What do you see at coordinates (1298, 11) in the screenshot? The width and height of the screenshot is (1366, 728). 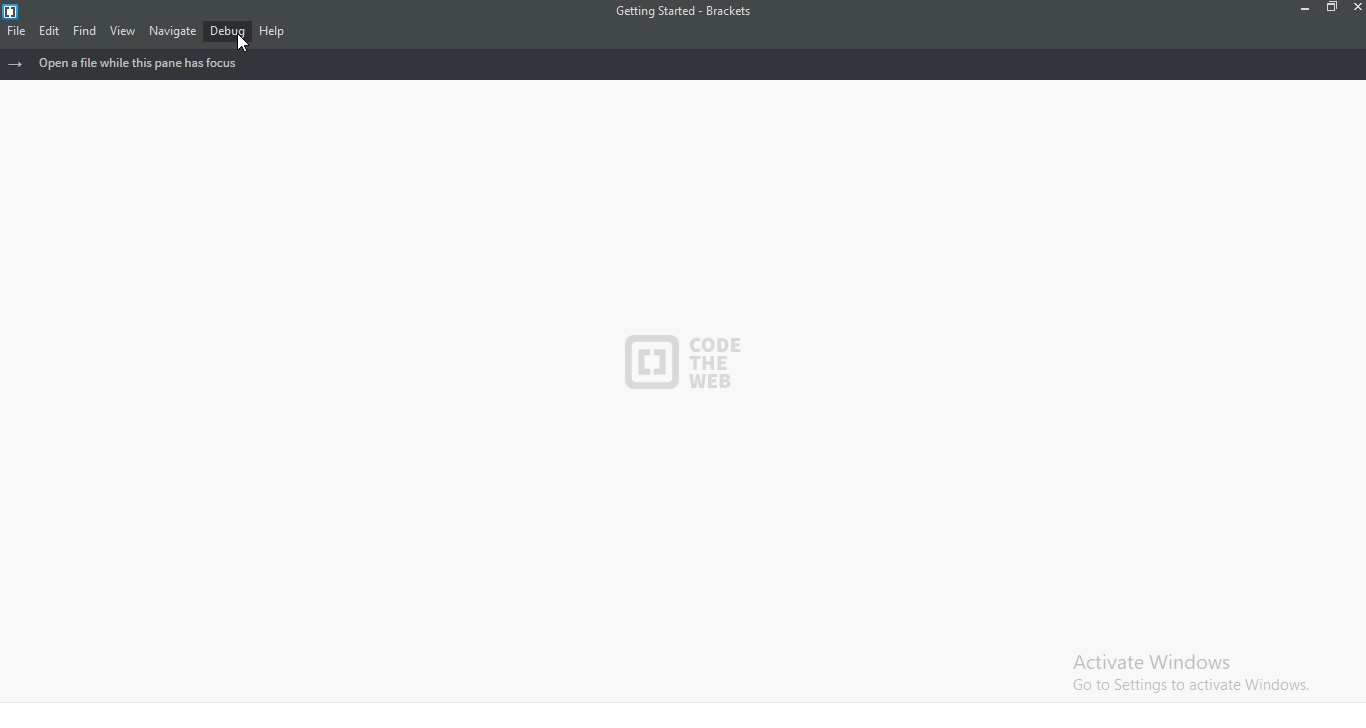 I see `minimise` at bounding box center [1298, 11].